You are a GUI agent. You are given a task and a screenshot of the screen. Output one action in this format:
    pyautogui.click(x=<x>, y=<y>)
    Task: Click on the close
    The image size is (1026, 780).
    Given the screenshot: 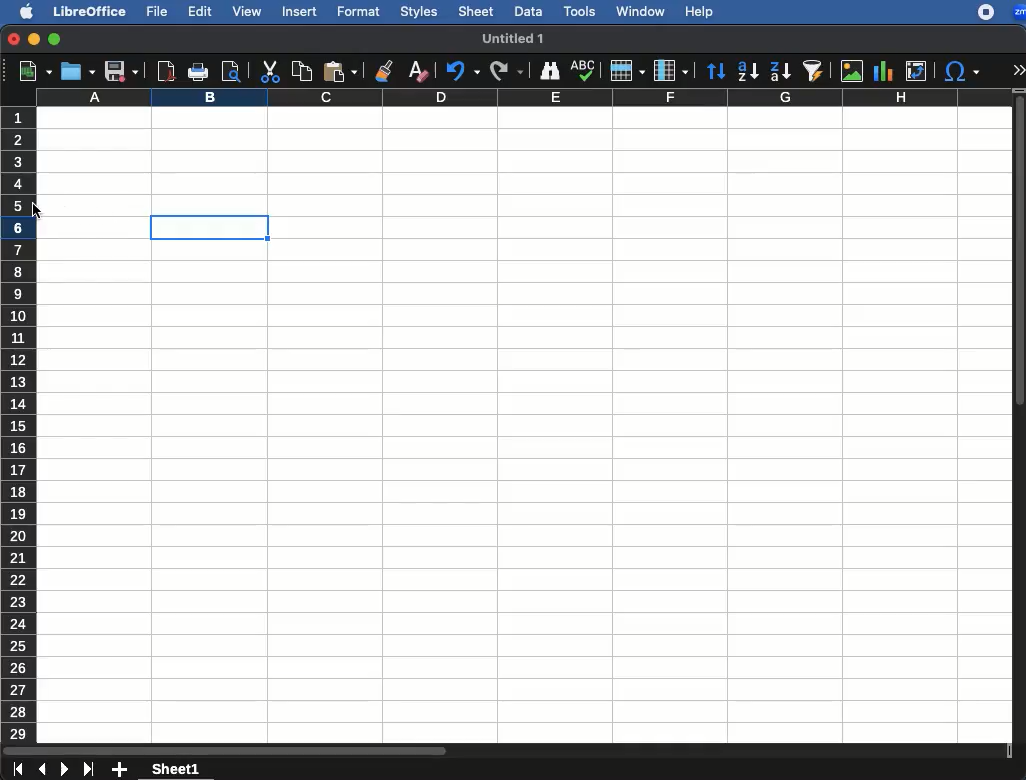 What is the action you would take?
    pyautogui.click(x=12, y=39)
    